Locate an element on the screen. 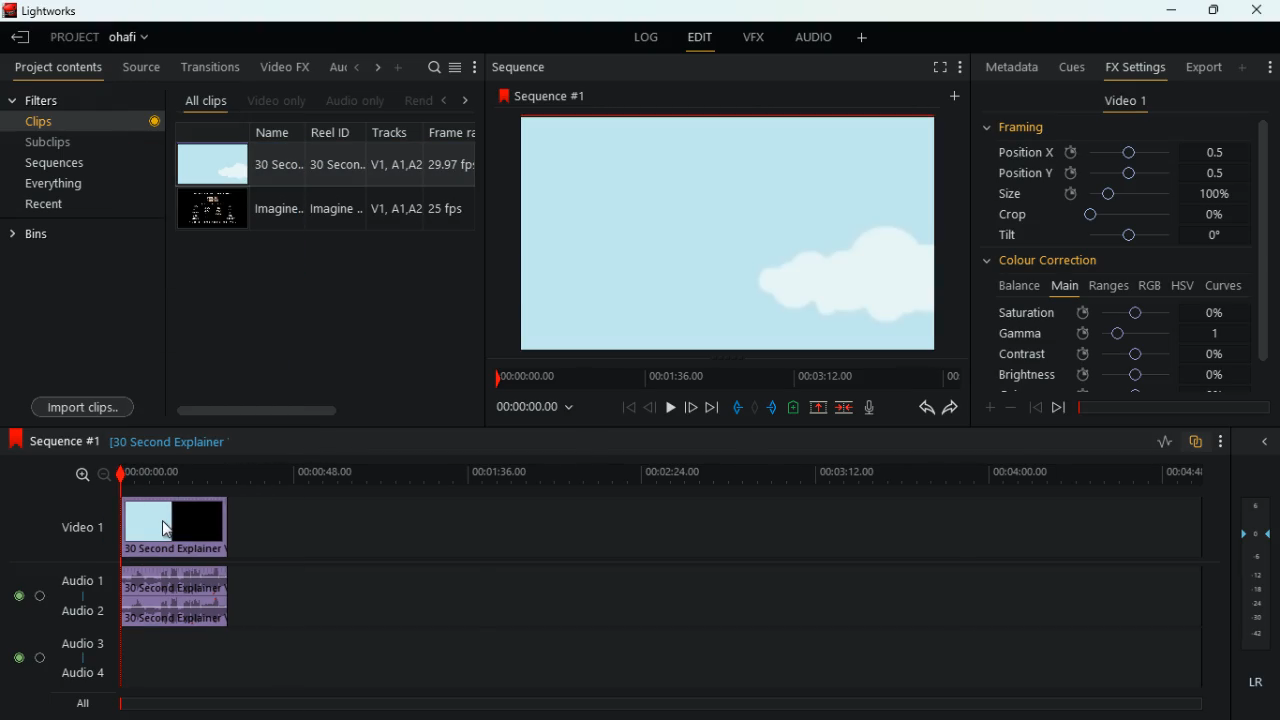  source is located at coordinates (141, 67).